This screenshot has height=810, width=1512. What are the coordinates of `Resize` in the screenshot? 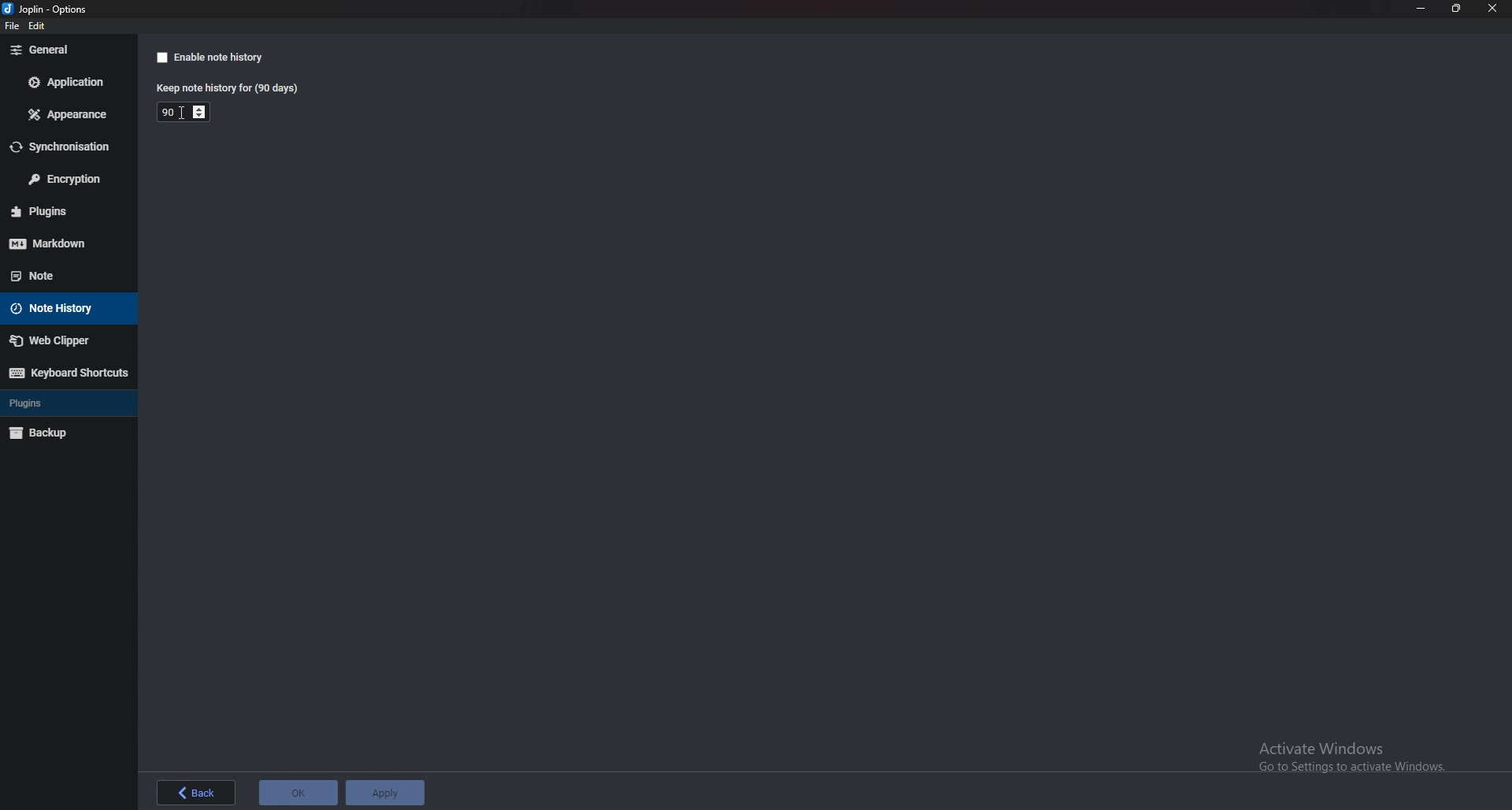 It's located at (1457, 9).